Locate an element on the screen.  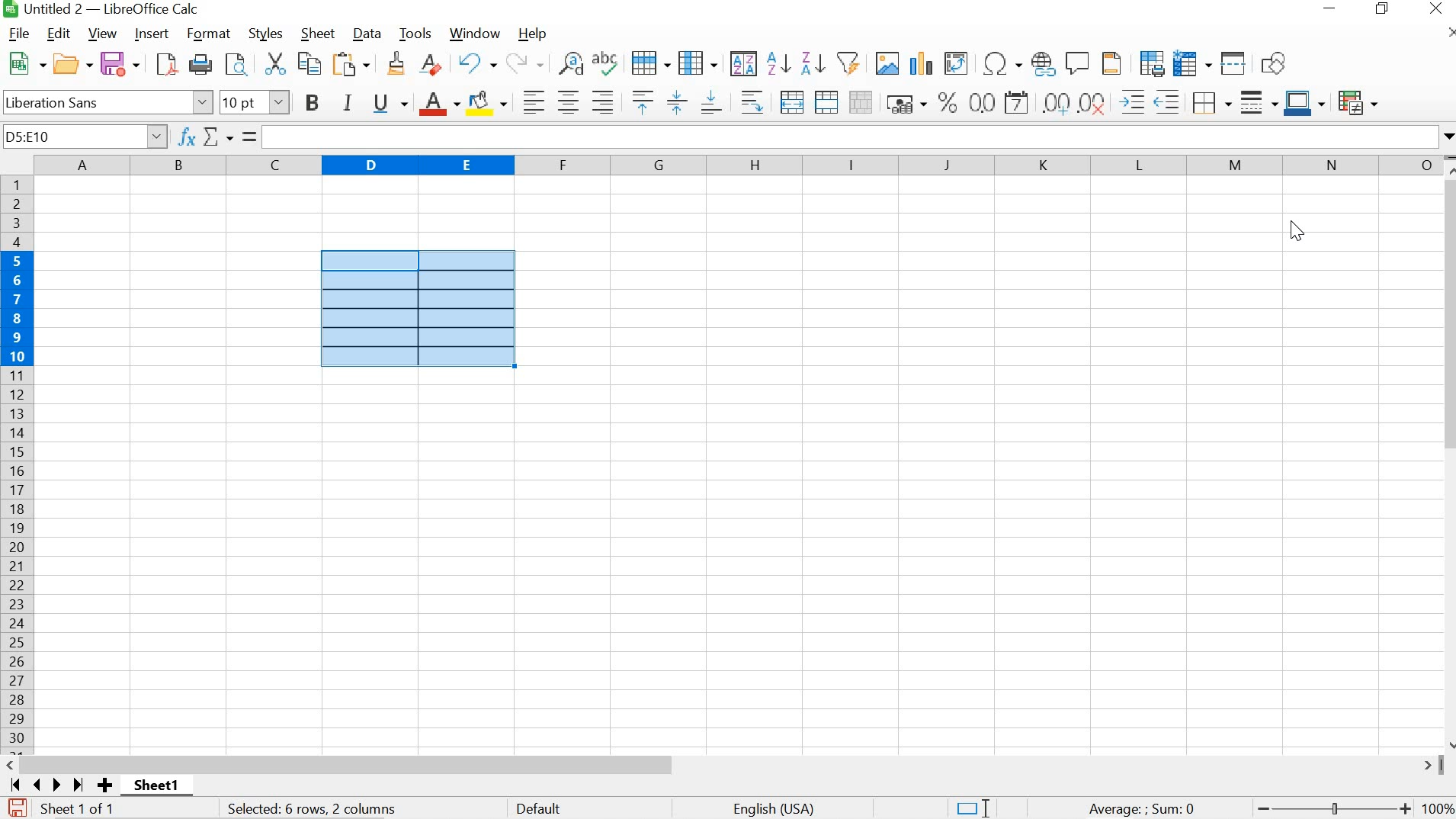
clear direct formatting is located at coordinates (432, 64).